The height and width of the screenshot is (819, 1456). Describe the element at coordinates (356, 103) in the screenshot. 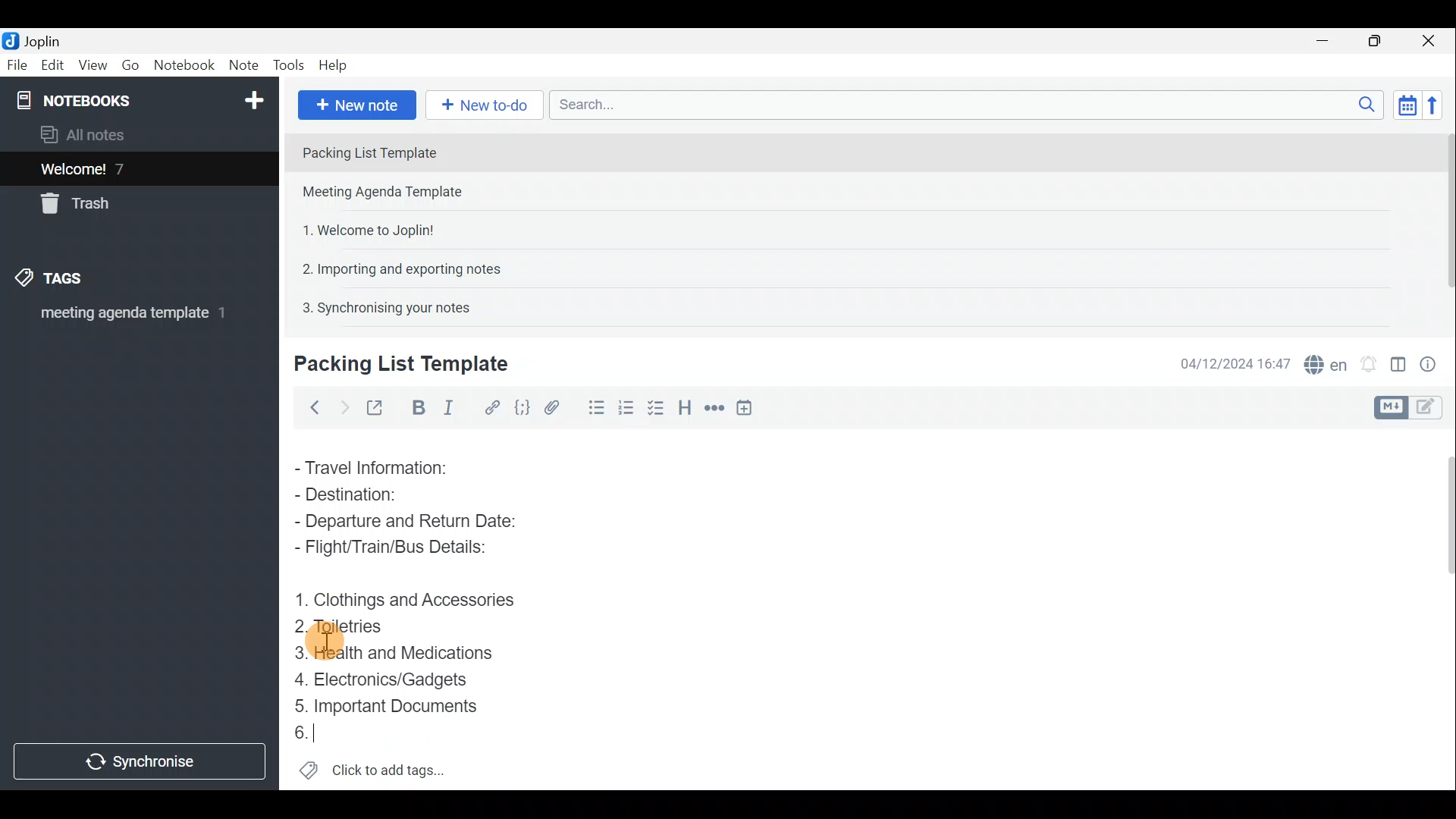

I see `New note` at that location.